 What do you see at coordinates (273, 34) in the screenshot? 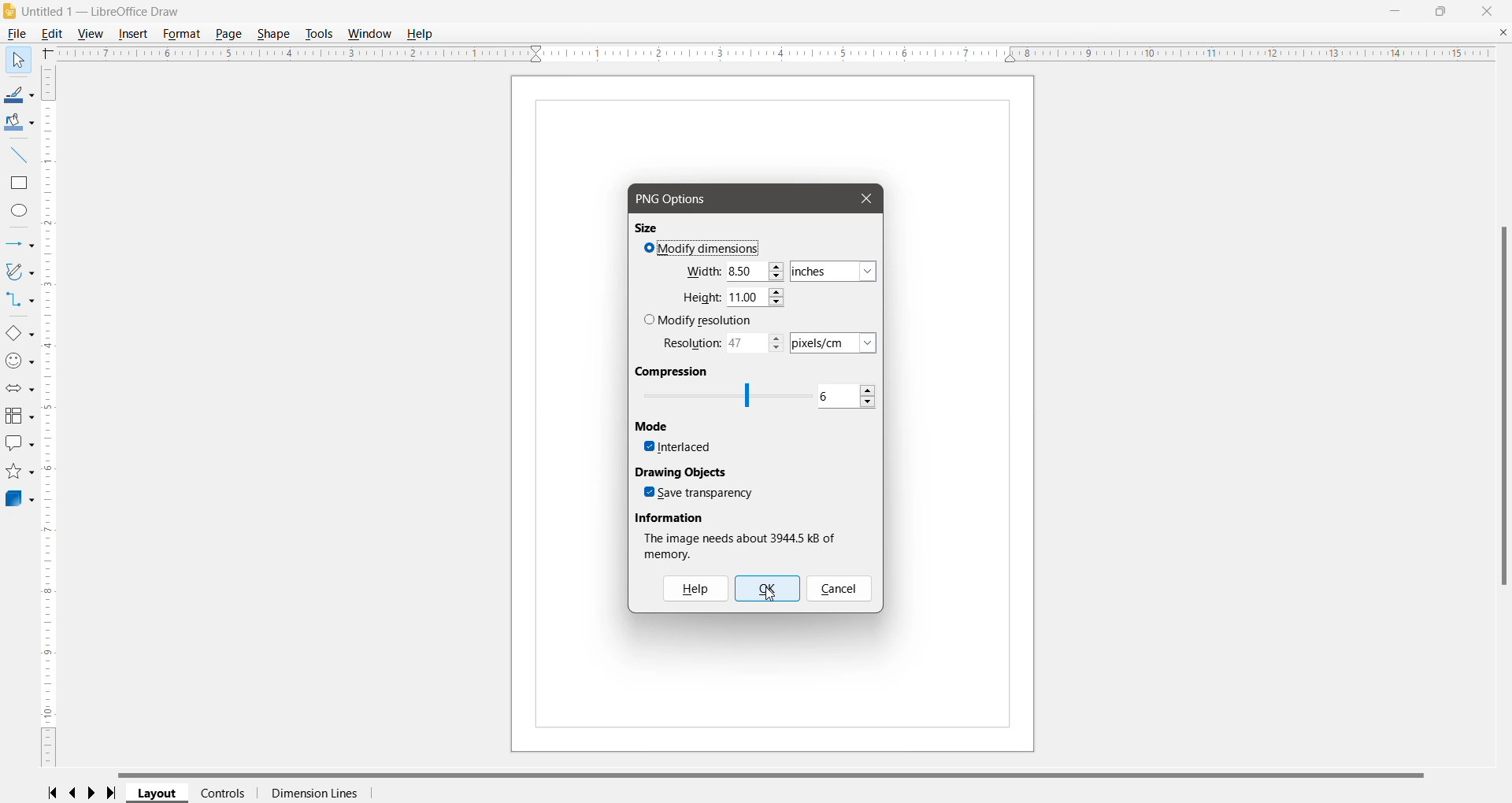
I see `Shape` at bounding box center [273, 34].